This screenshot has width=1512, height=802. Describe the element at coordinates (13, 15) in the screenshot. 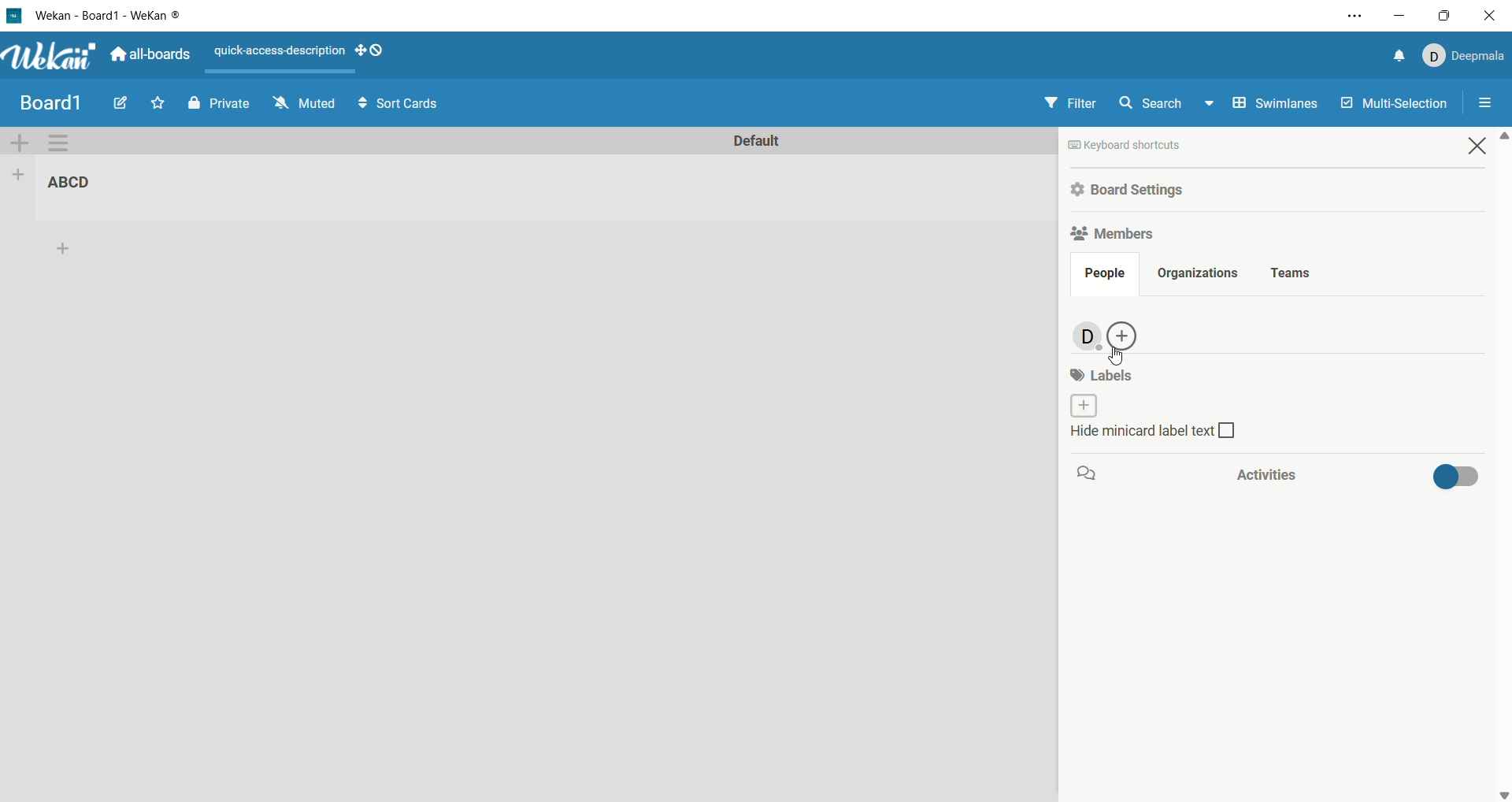

I see `logo` at that location.